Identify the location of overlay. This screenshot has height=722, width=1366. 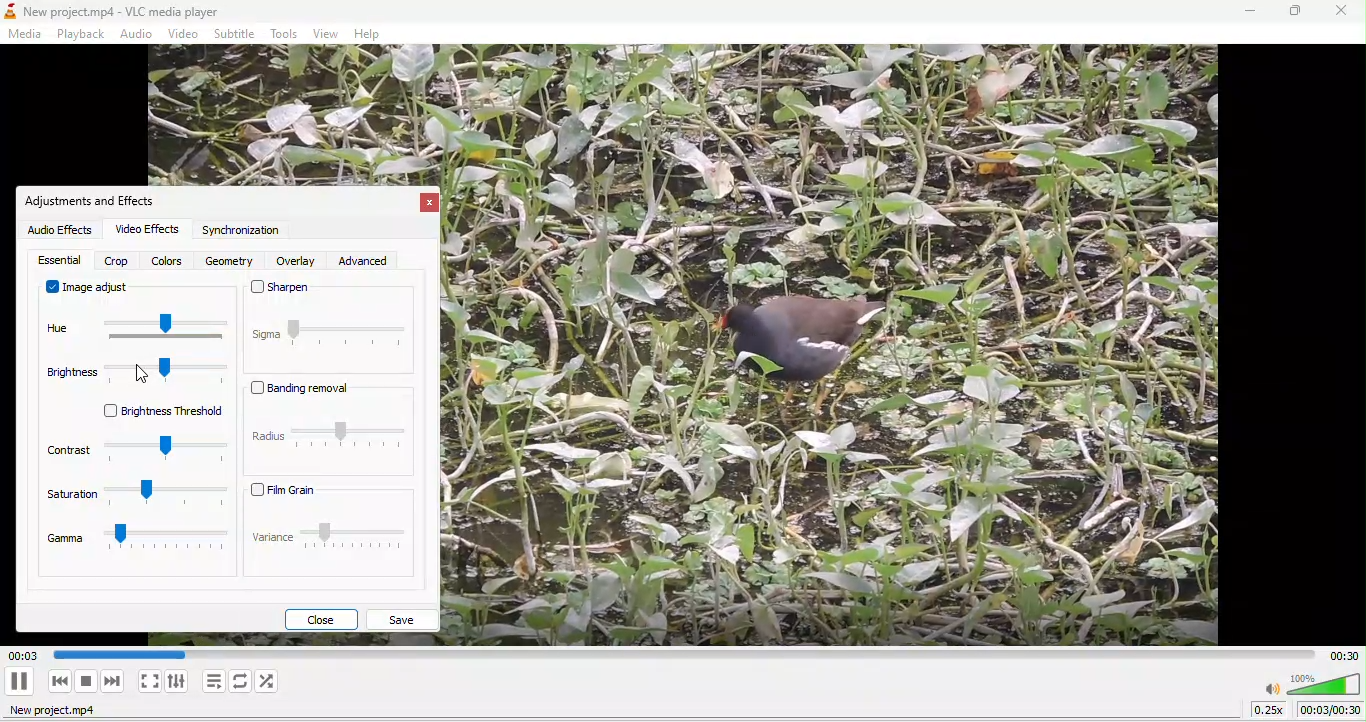
(294, 262).